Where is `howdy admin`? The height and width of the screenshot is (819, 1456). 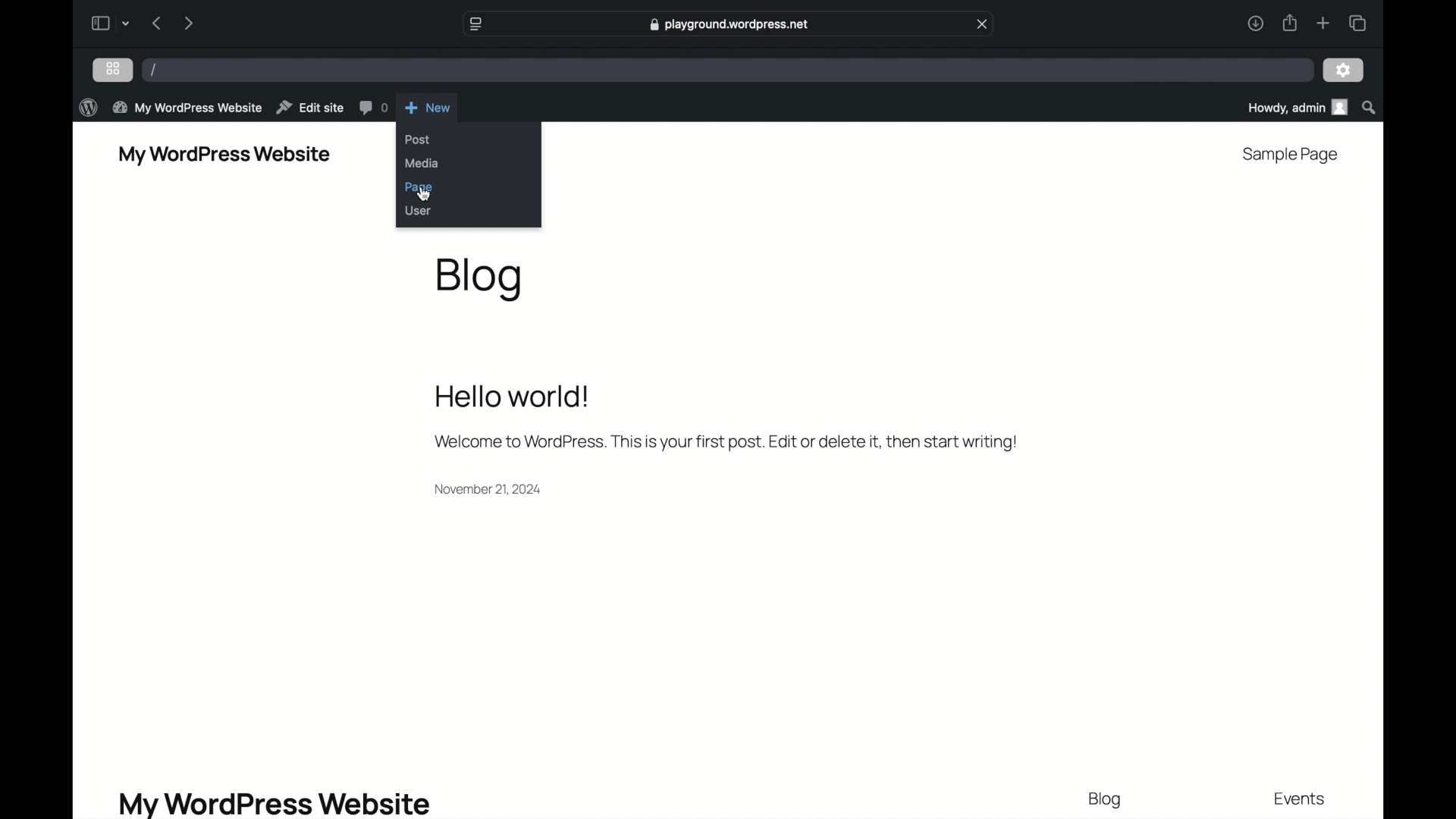
howdy admin is located at coordinates (1298, 108).